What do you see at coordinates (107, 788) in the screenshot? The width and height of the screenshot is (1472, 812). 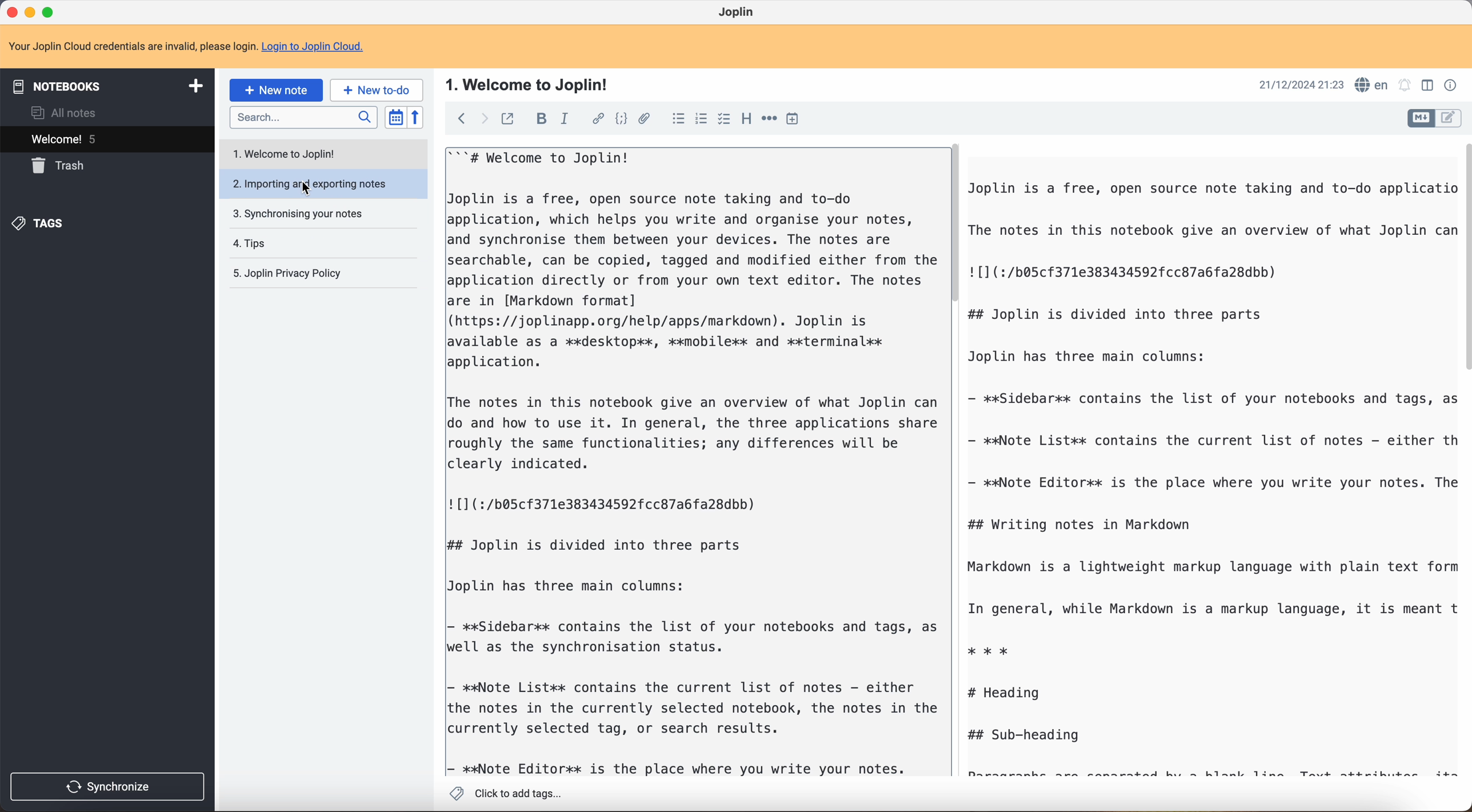 I see `synchronize` at bounding box center [107, 788].